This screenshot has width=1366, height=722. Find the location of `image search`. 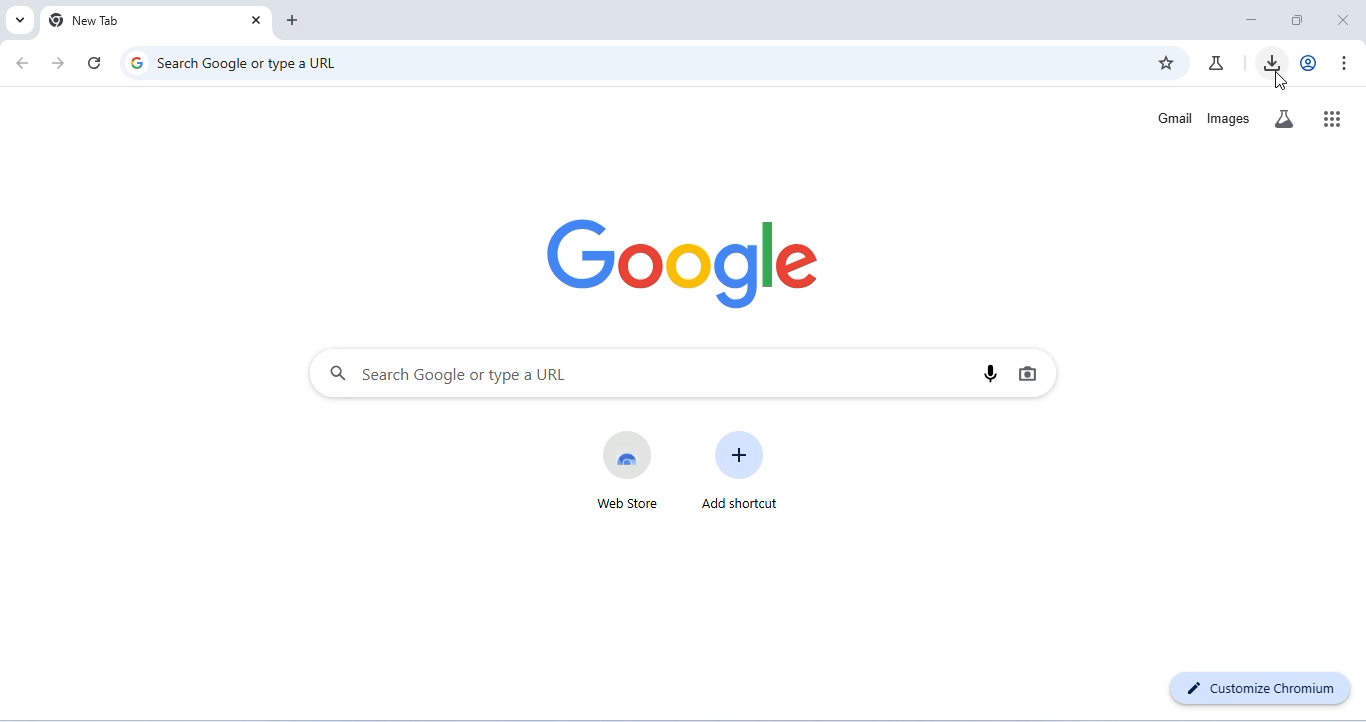

image search is located at coordinates (1030, 373).